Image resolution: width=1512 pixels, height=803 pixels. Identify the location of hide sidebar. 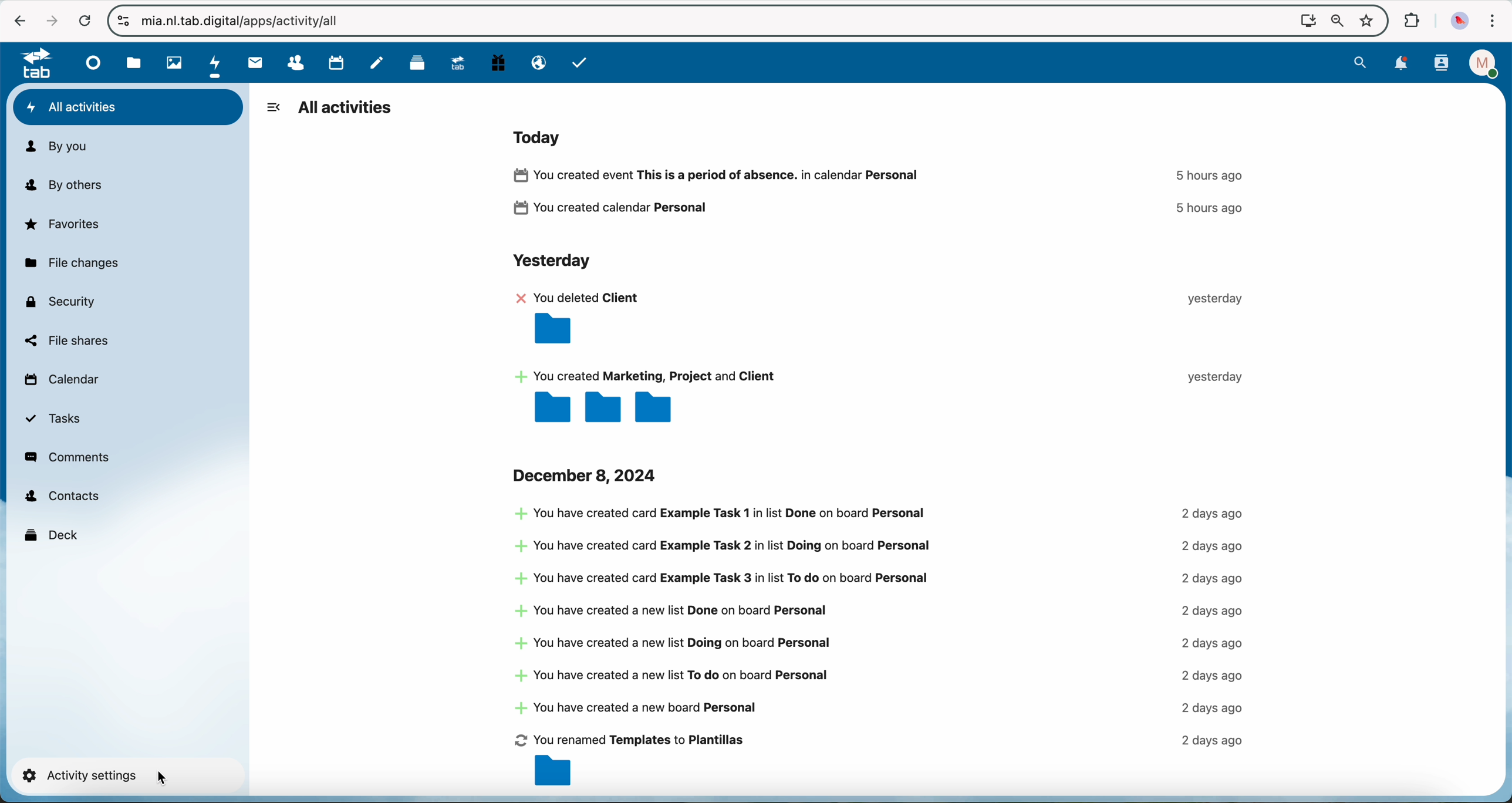
(273, 107).